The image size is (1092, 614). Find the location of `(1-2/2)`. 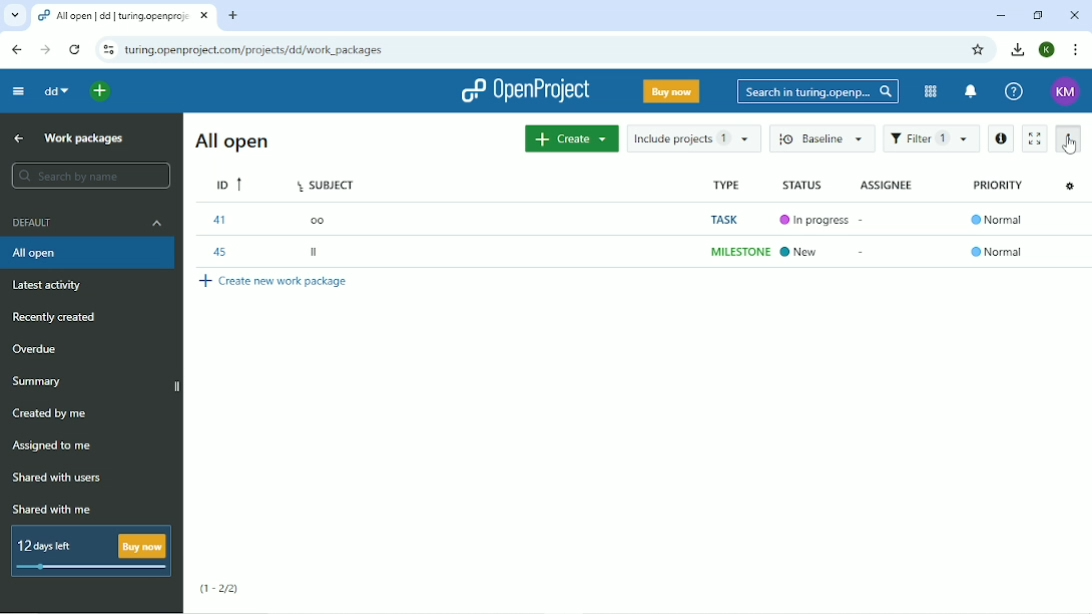

(1-2/2) is located at coordinates (220, 589).